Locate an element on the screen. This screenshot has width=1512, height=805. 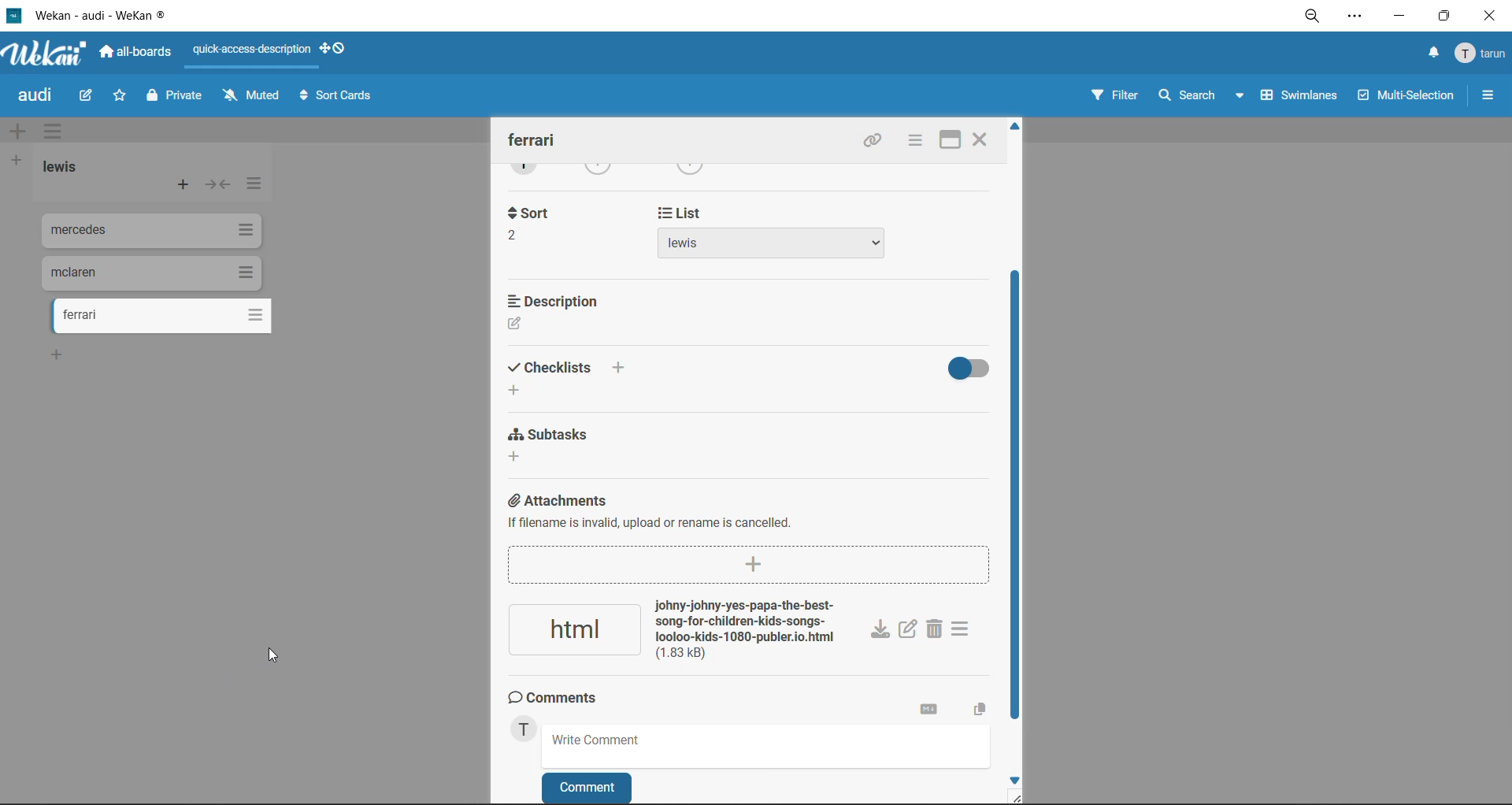
checklist is located at coordinates (569, 376).